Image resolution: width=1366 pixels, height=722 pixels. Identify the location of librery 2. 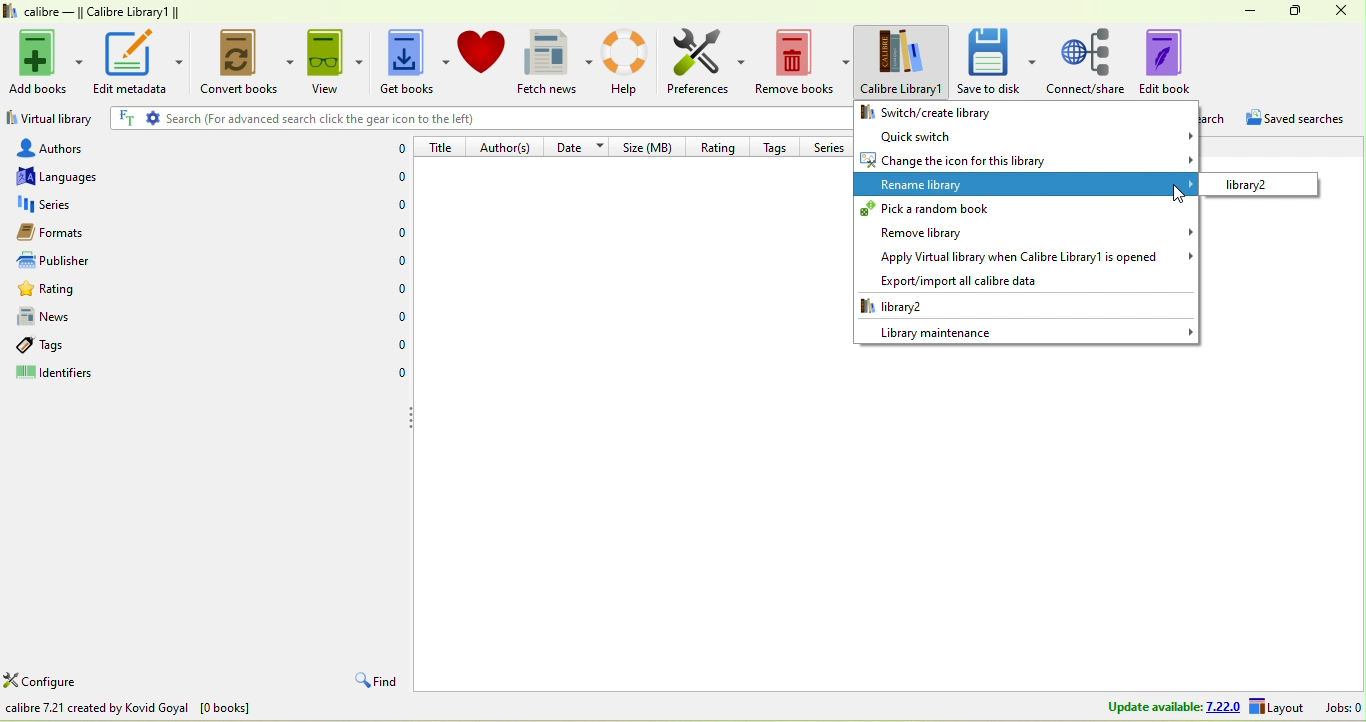
(937, 306).